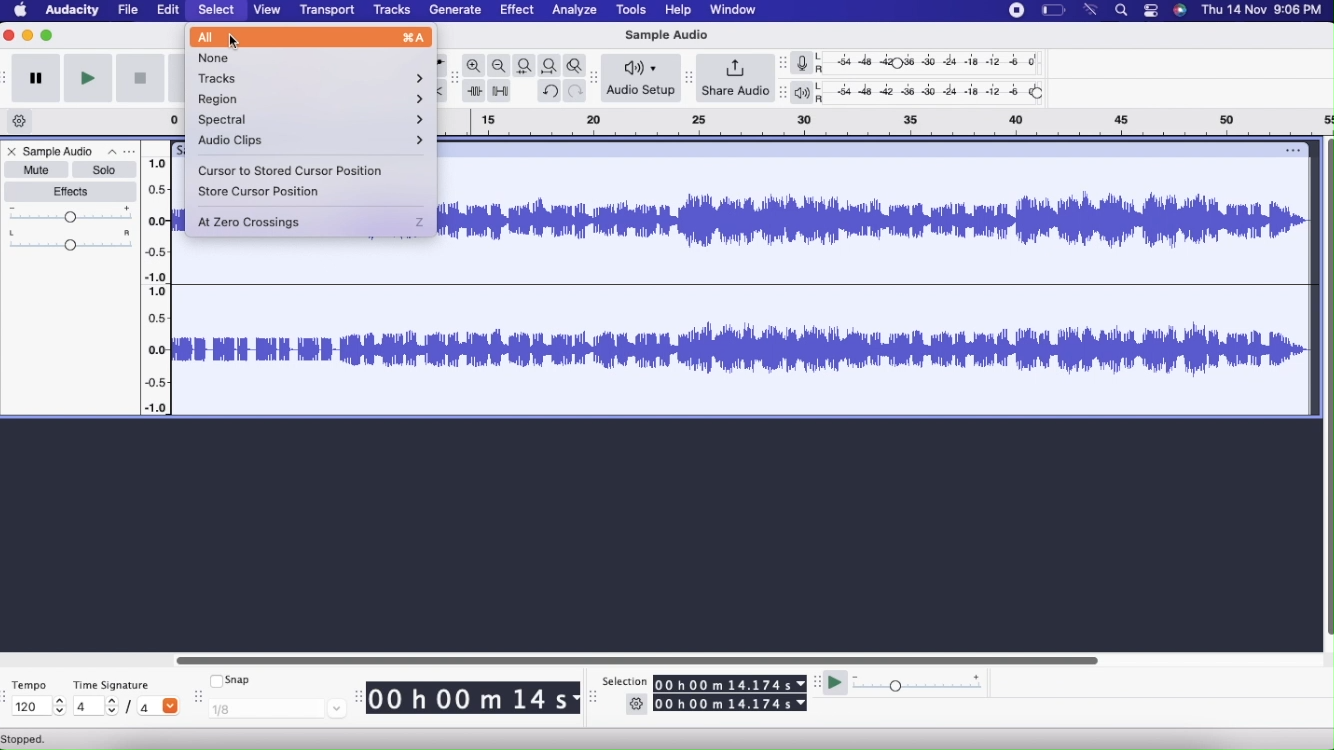  What do you see at coordinates (313, 100) in the screenshot?
I see `Region` at bounding box center [313, 100].